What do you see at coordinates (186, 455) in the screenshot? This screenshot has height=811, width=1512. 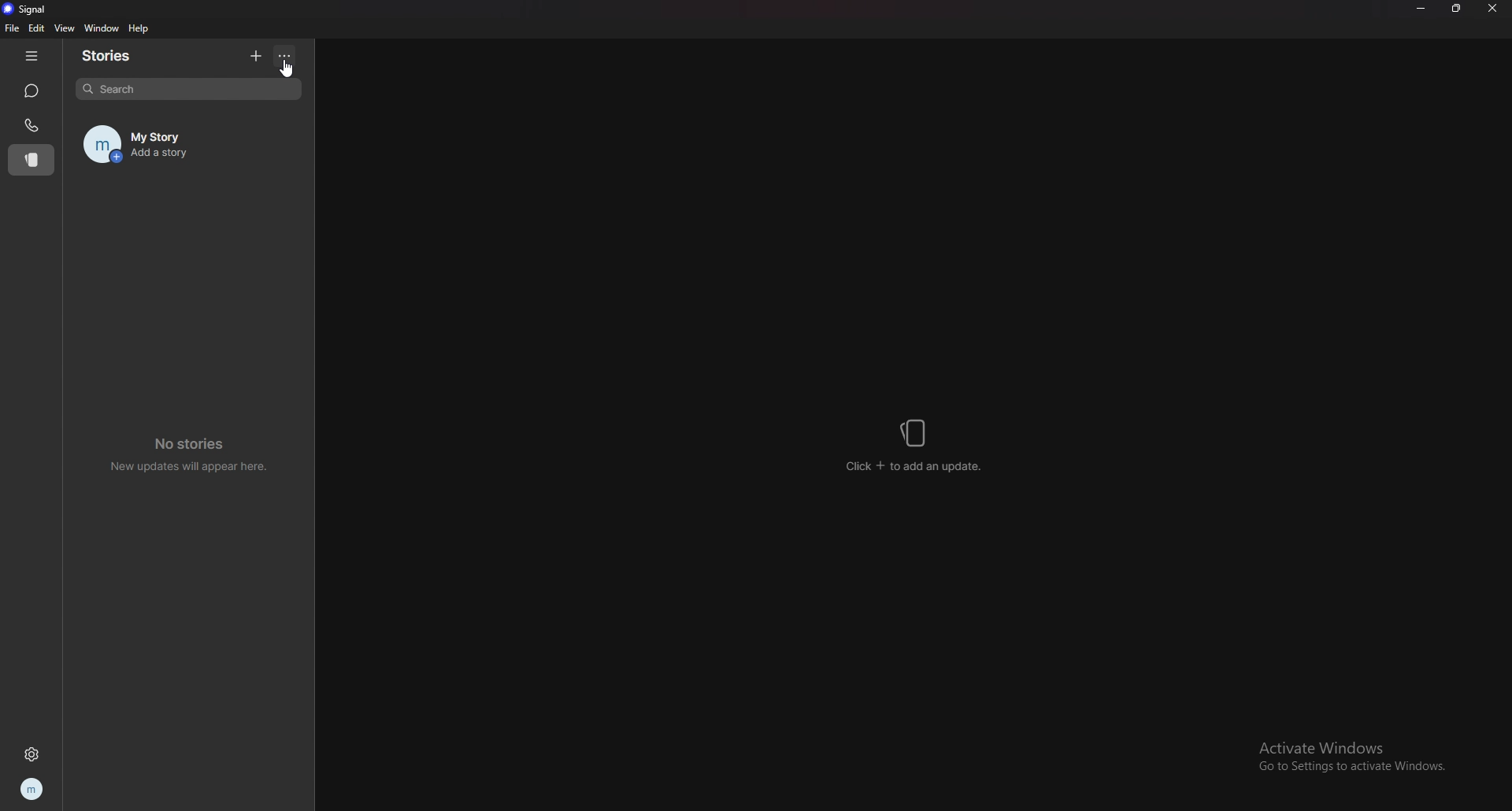 I see `no stories new updates will appear here` at bounding box center [186, 455].